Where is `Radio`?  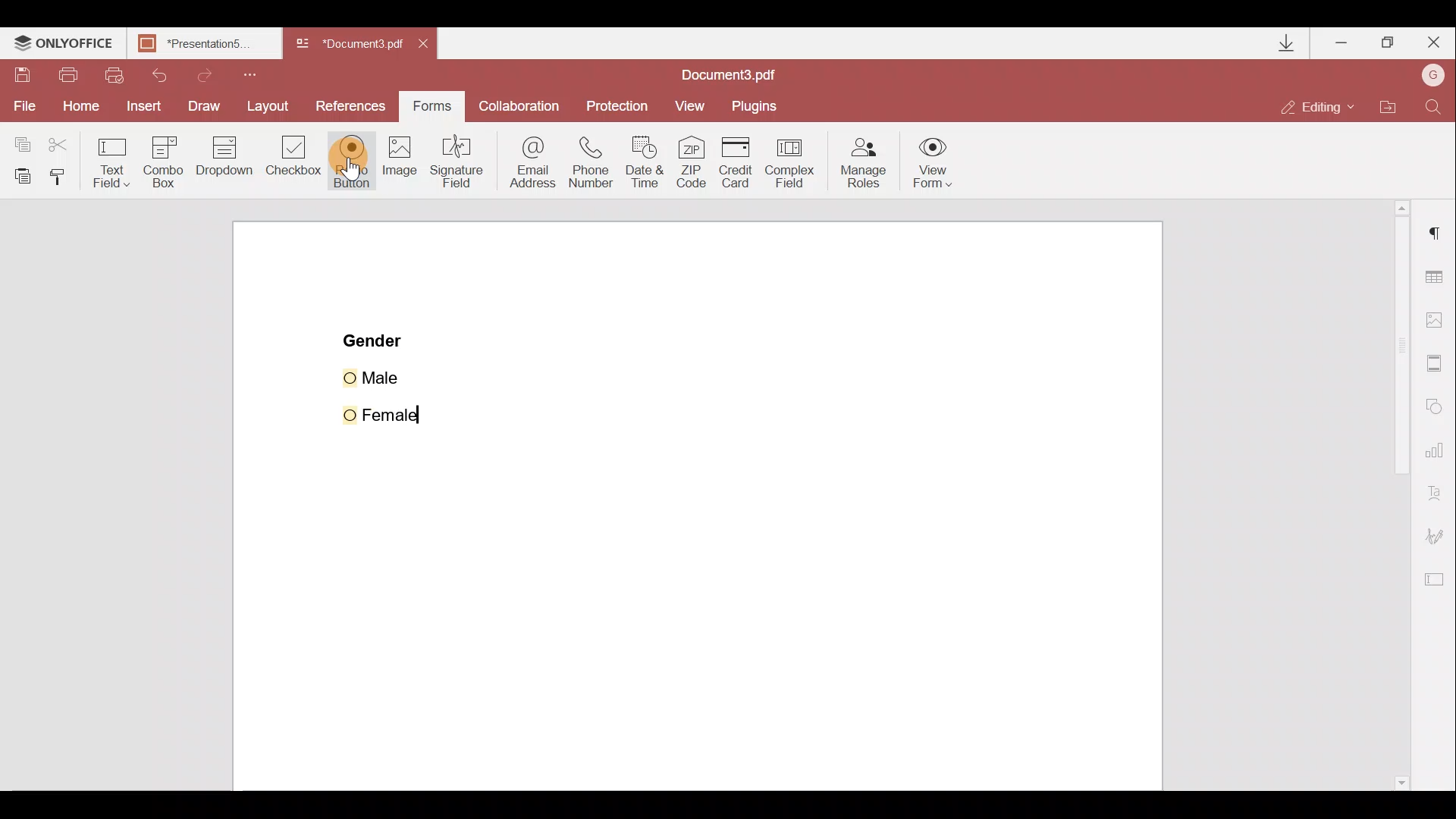 Radio is located at coordinates (352, 162).